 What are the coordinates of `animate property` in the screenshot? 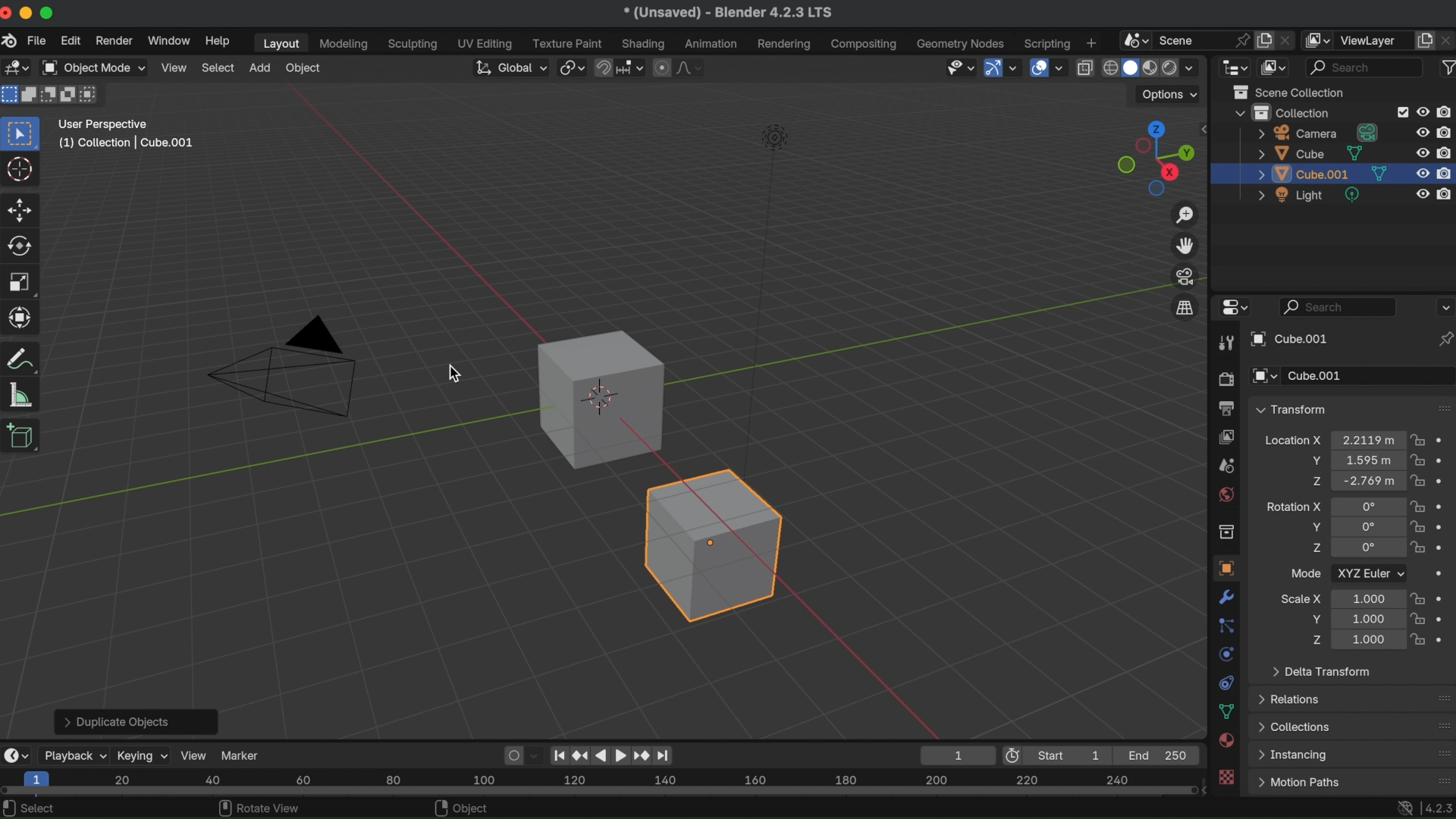 It's located at (1443, 576).